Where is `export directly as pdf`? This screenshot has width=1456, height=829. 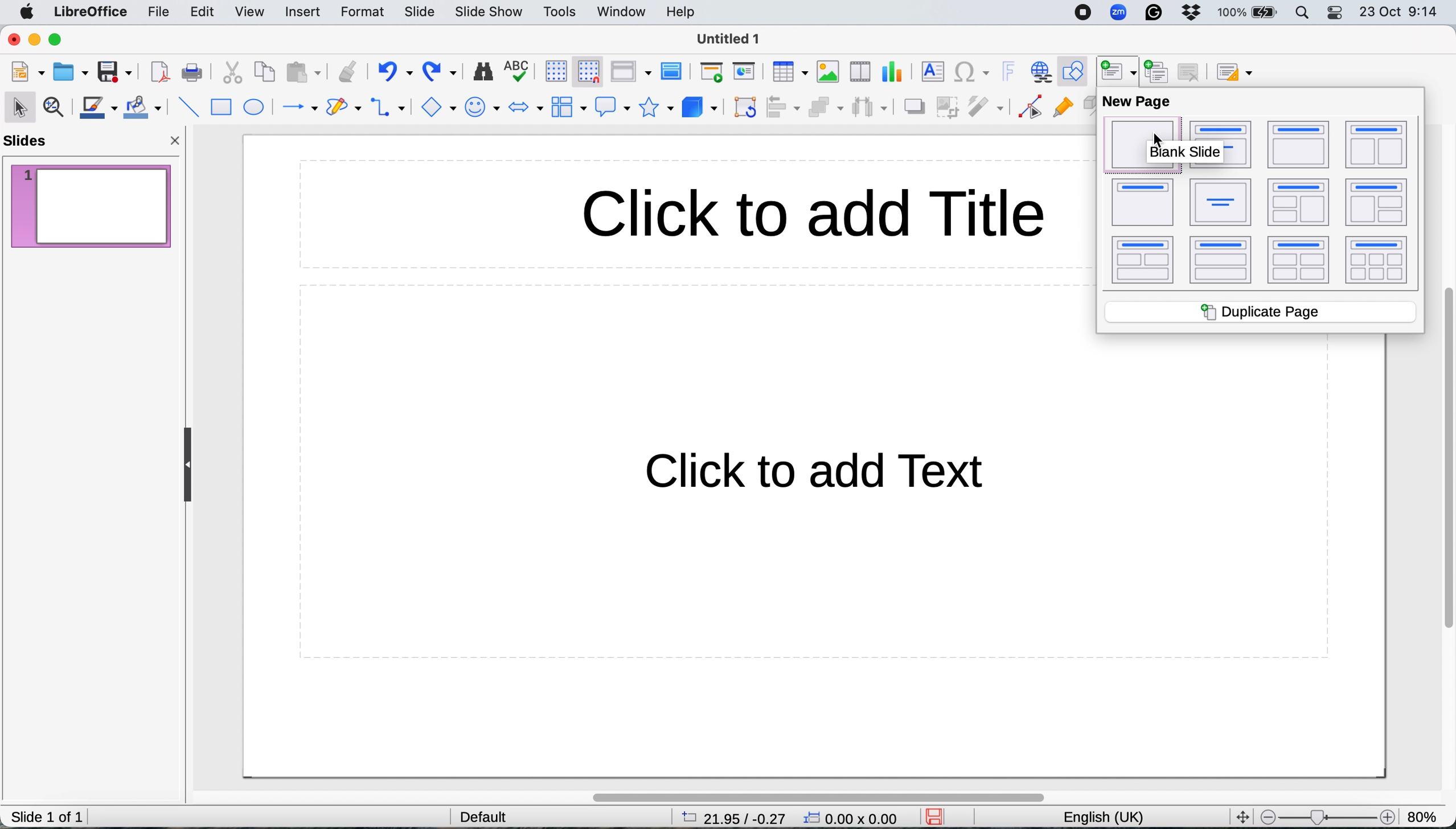
export directly as pdf is located at coordinates (161, 71).